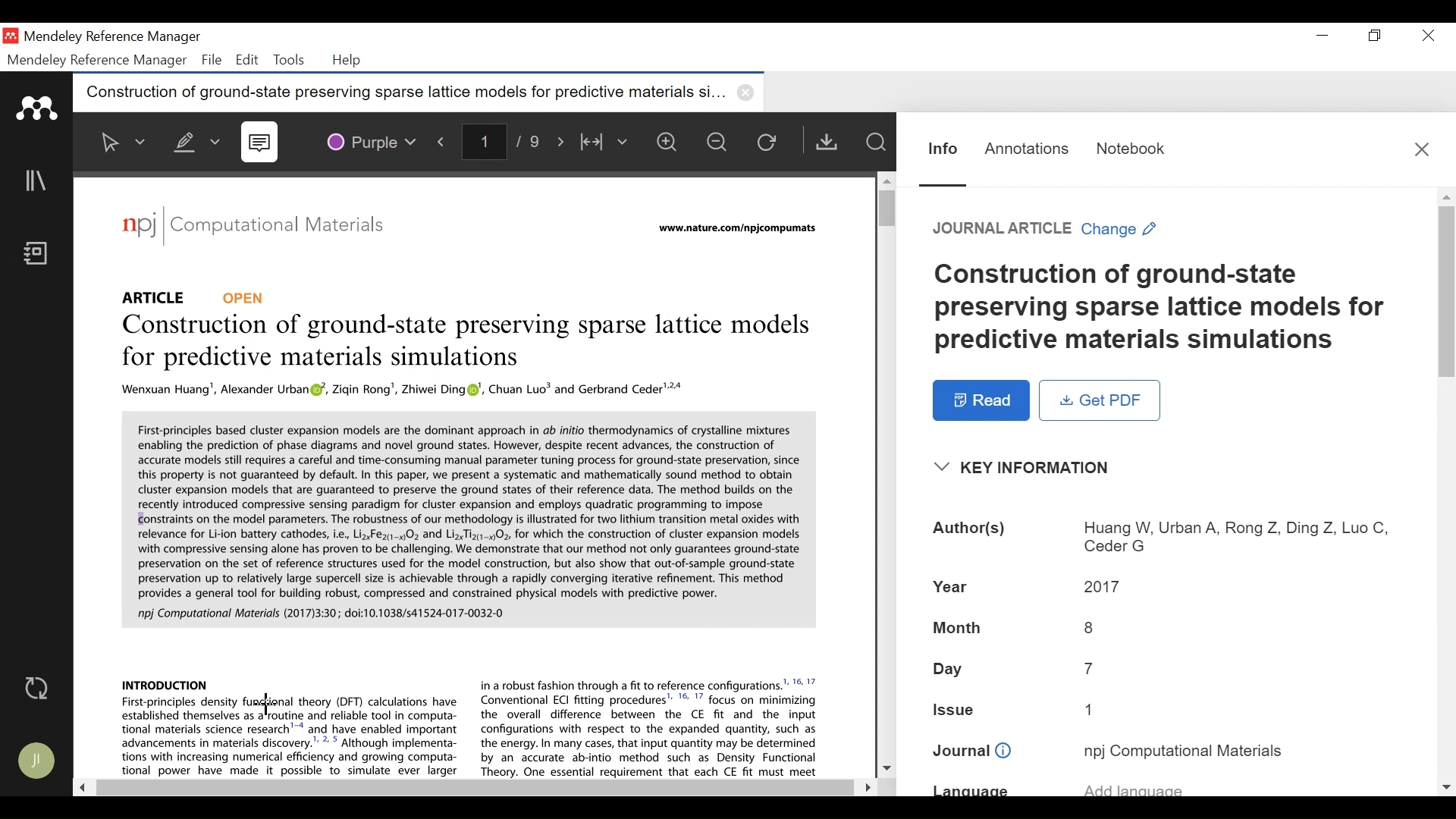 The height and width of the screenshot is (819, 1456). What do you see at coordinates (288, 60) in the screenshot?
I see `Tools` at bounding box center [288, 60].